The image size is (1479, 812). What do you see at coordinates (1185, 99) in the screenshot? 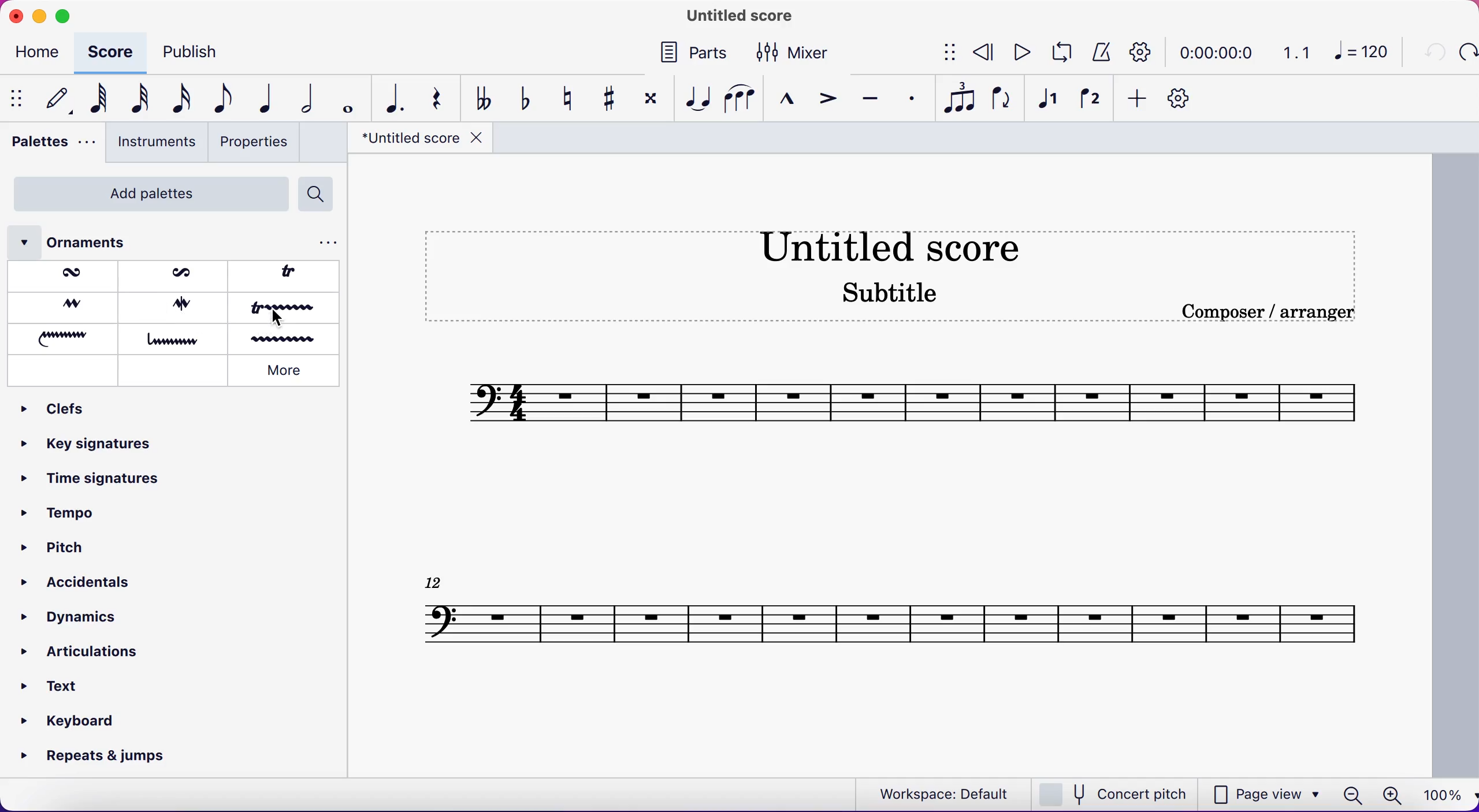
I see `customization tool` at bounding box center [1185, 99].